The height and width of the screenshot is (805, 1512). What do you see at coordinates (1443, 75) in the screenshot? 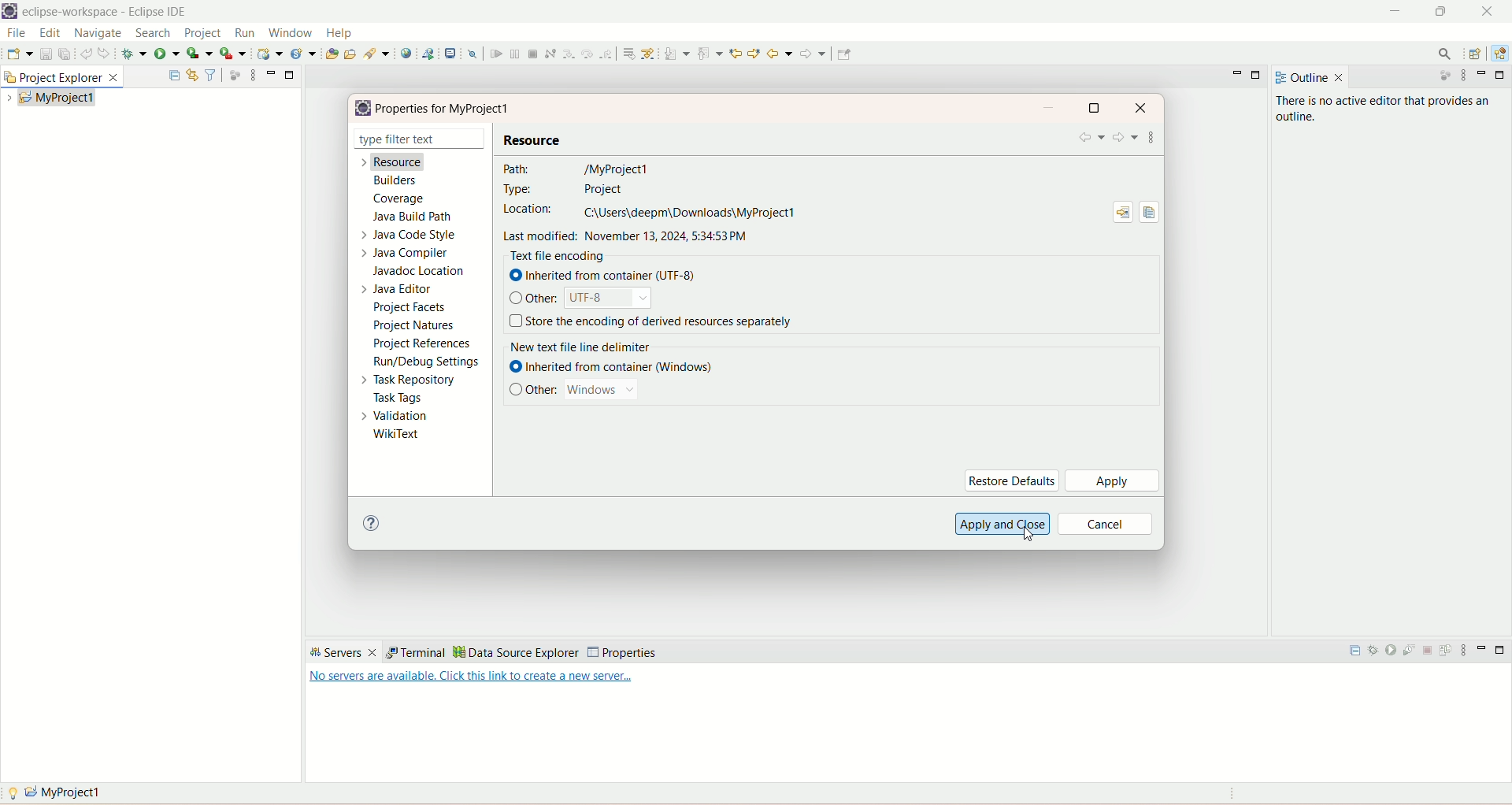
I see `focus on active task` at bounding box center [1443, 75].